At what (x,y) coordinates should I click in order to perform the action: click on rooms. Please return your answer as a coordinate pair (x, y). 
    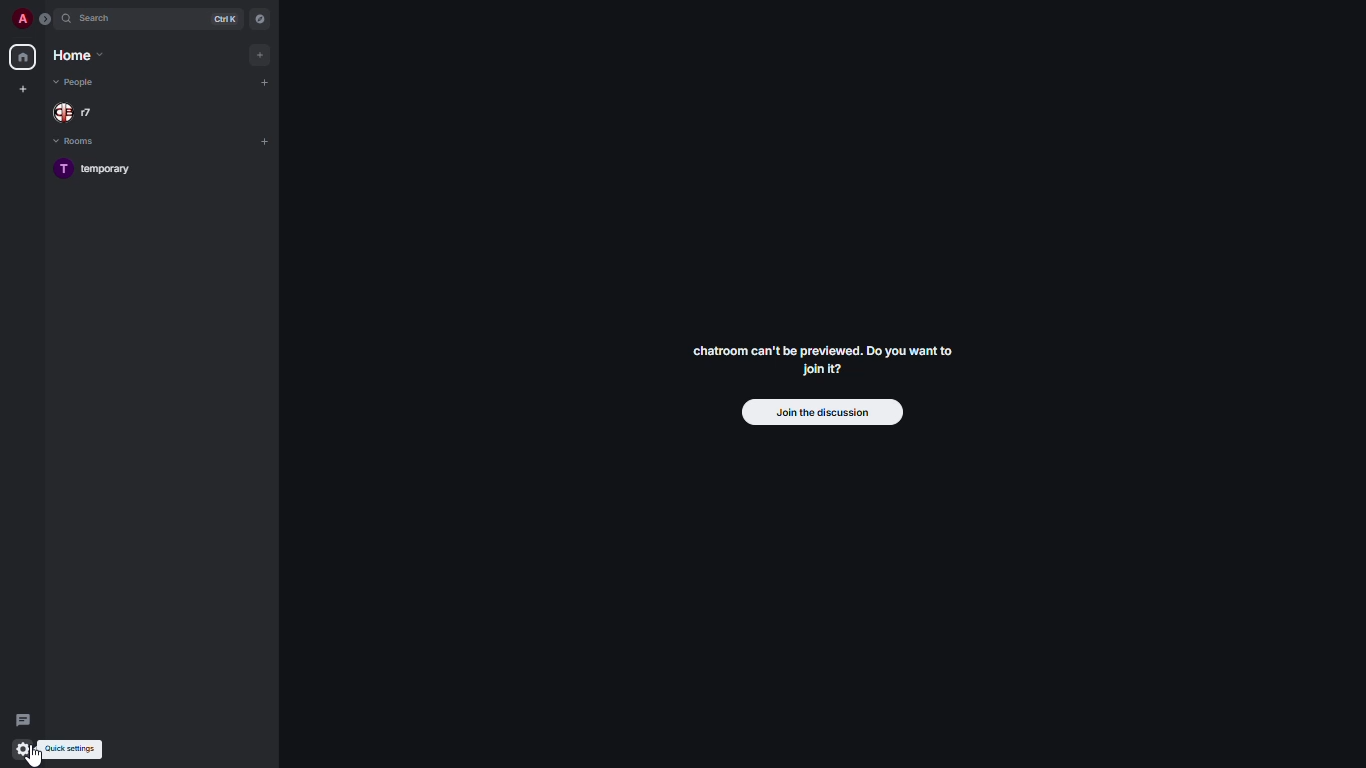
    Looking at the image, I should click on (77, 142).